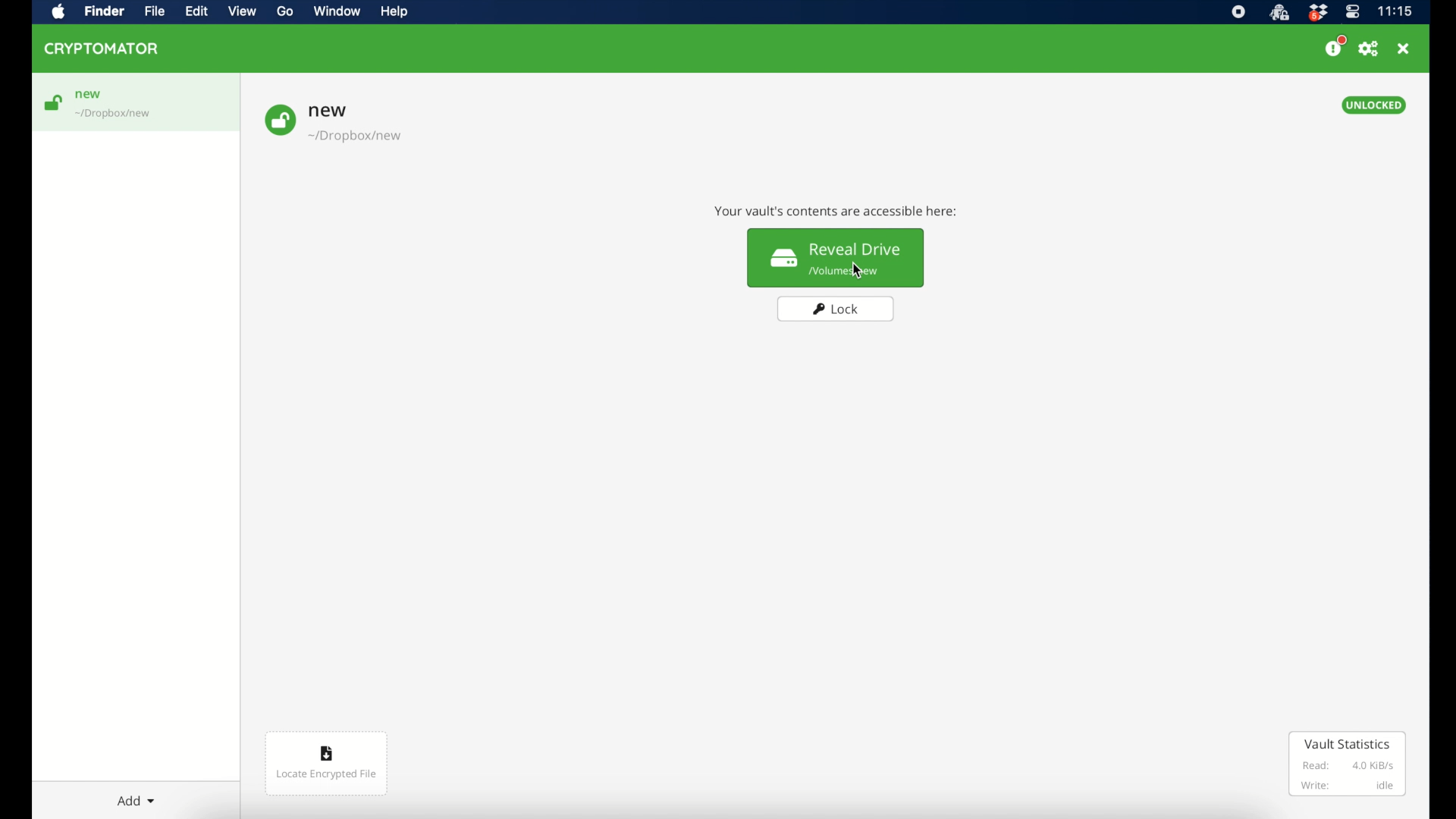  Describe the element at coordinates (394, 11) in the screenshot. I see `help` at that location.